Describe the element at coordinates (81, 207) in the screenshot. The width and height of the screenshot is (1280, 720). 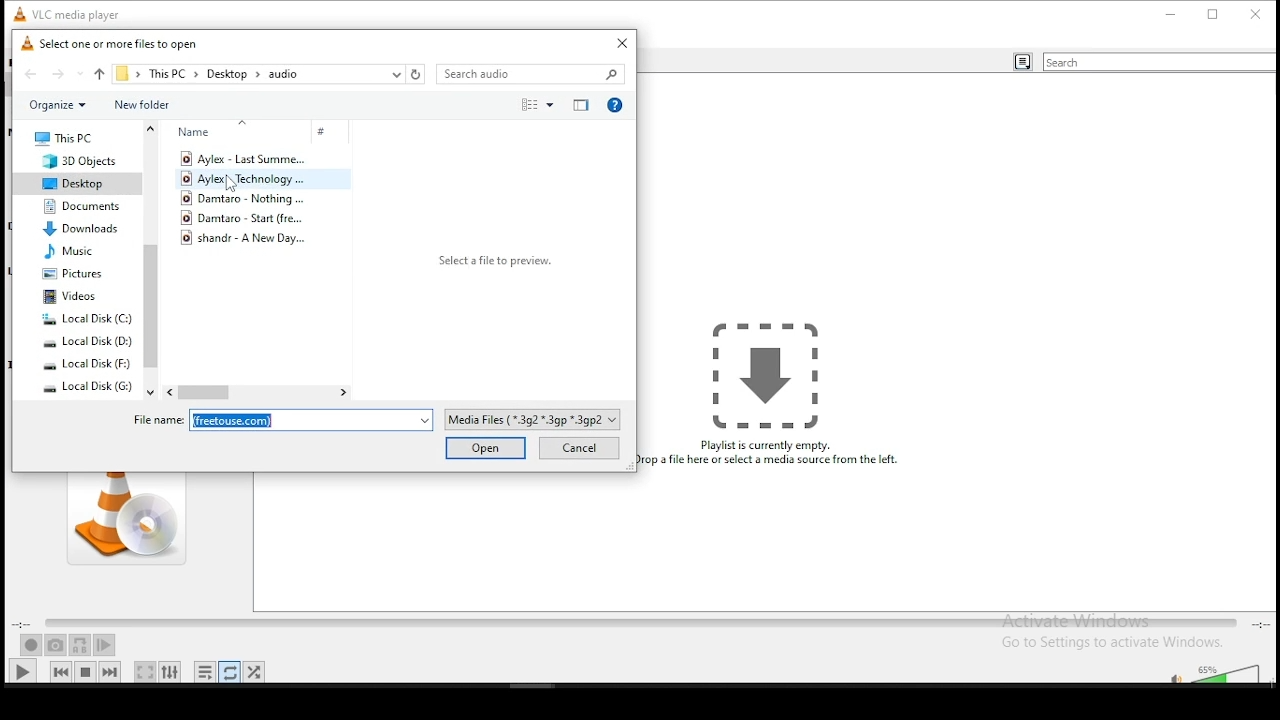
I see `documents` at that location.